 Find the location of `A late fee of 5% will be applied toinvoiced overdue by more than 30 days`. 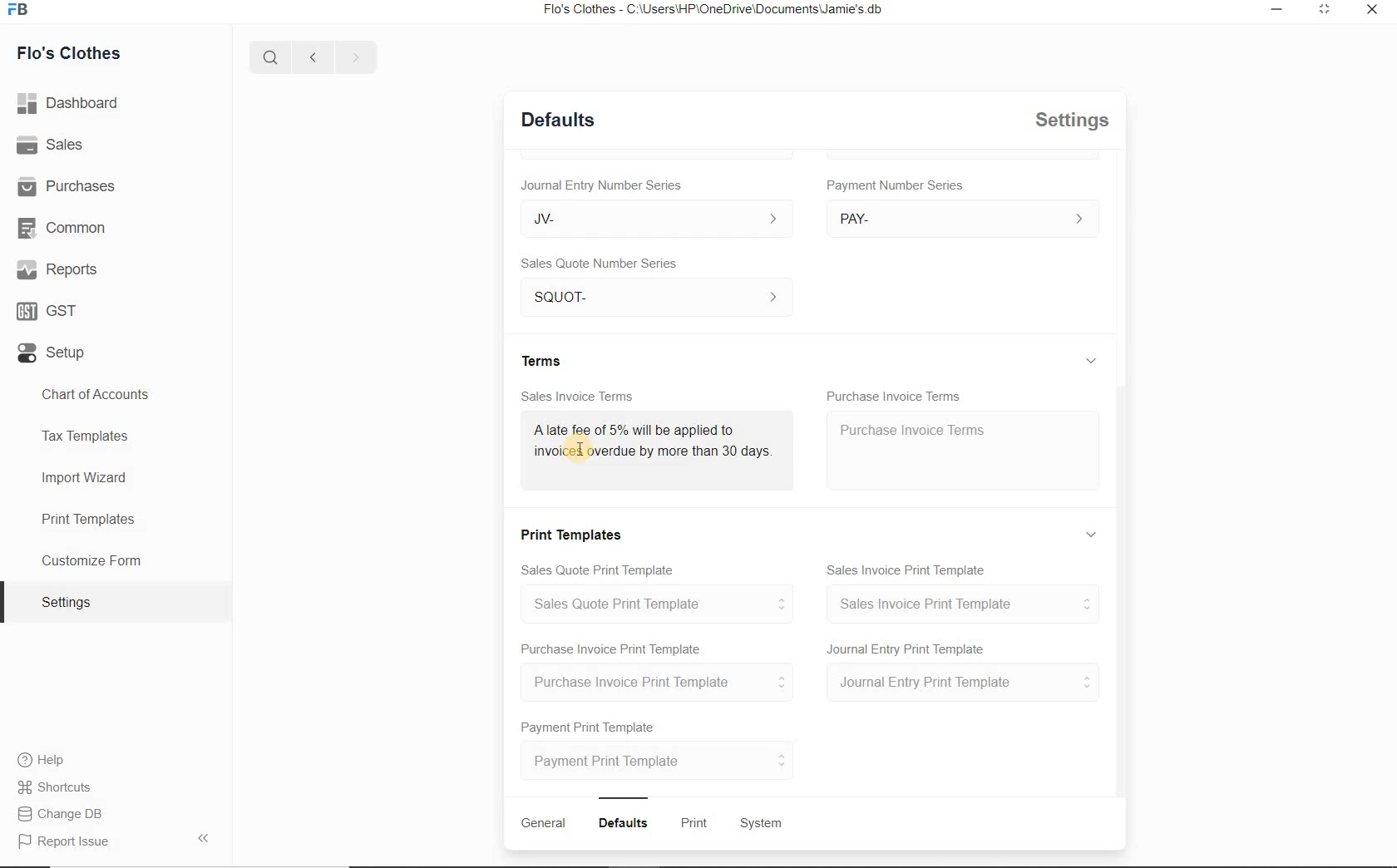

A late fee of 5% will be applied toinvoiced overdue by more than 30 days is located at coordinates (651, 446).